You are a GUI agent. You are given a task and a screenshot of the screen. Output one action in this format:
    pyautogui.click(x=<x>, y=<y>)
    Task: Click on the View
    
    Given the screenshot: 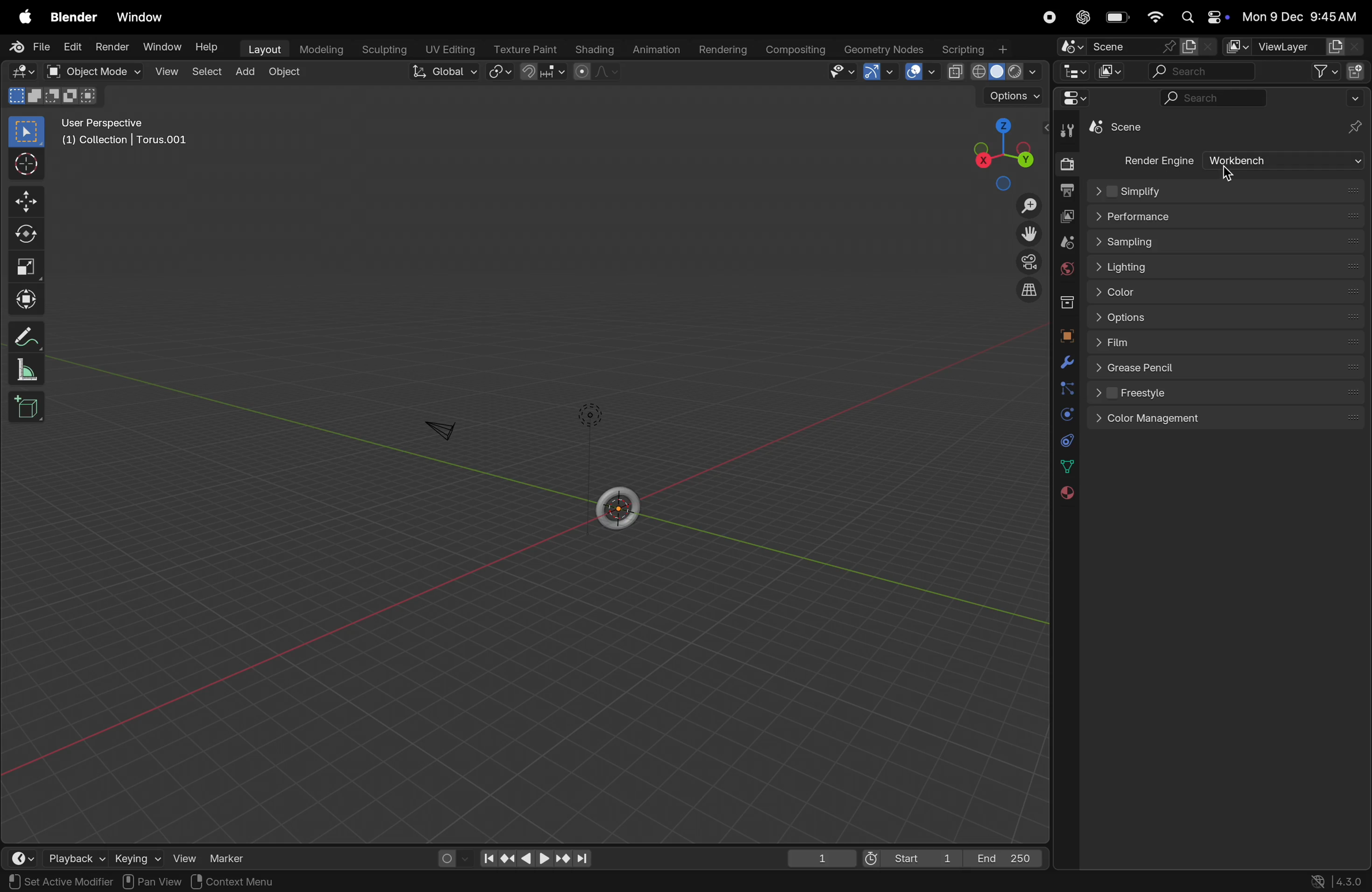 What is the action you would take?
    pyautogui.click(x=188, y=857)
    